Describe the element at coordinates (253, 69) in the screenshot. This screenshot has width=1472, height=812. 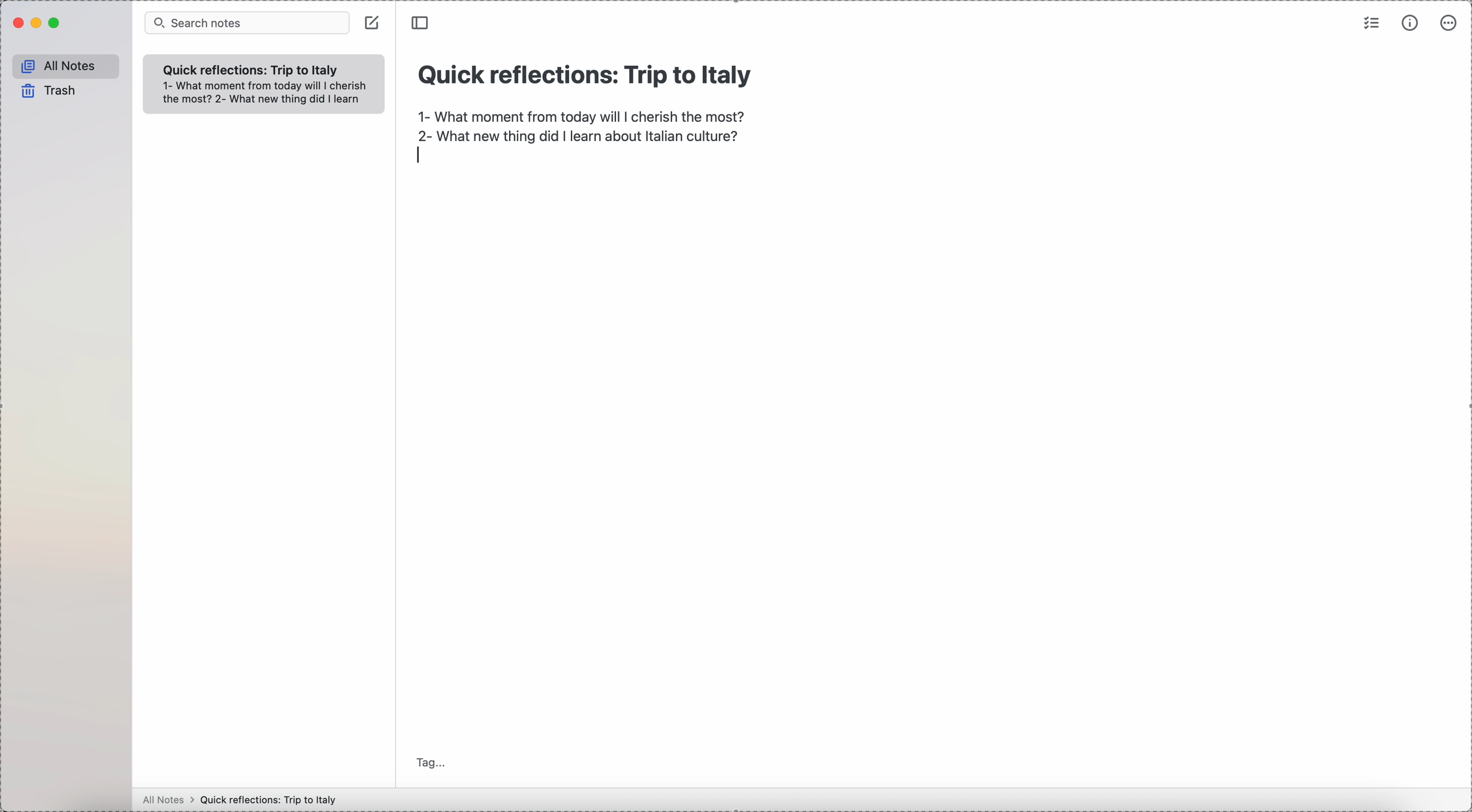
I see `quick refelection trip to italy` at that location.